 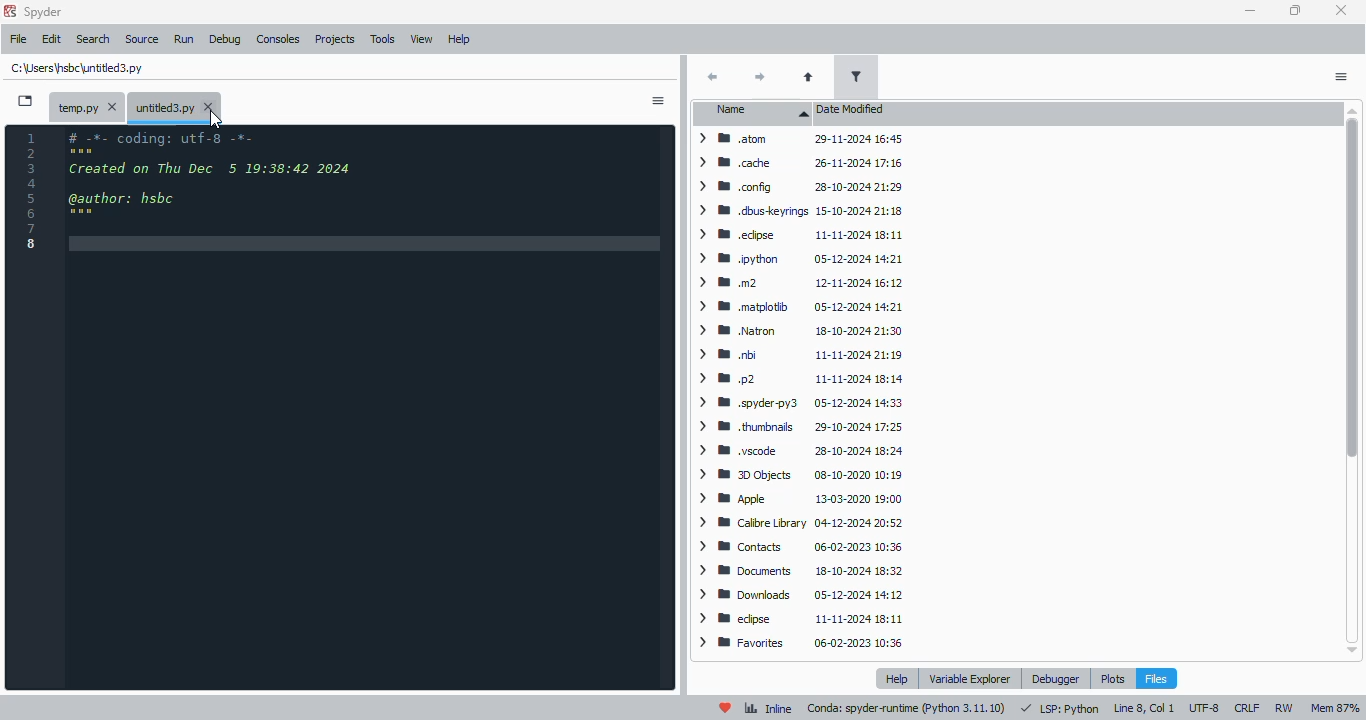 What do you see at coordinates (52, 38) in the screenshot?
I see `edit` at bounding box center [52, 38].